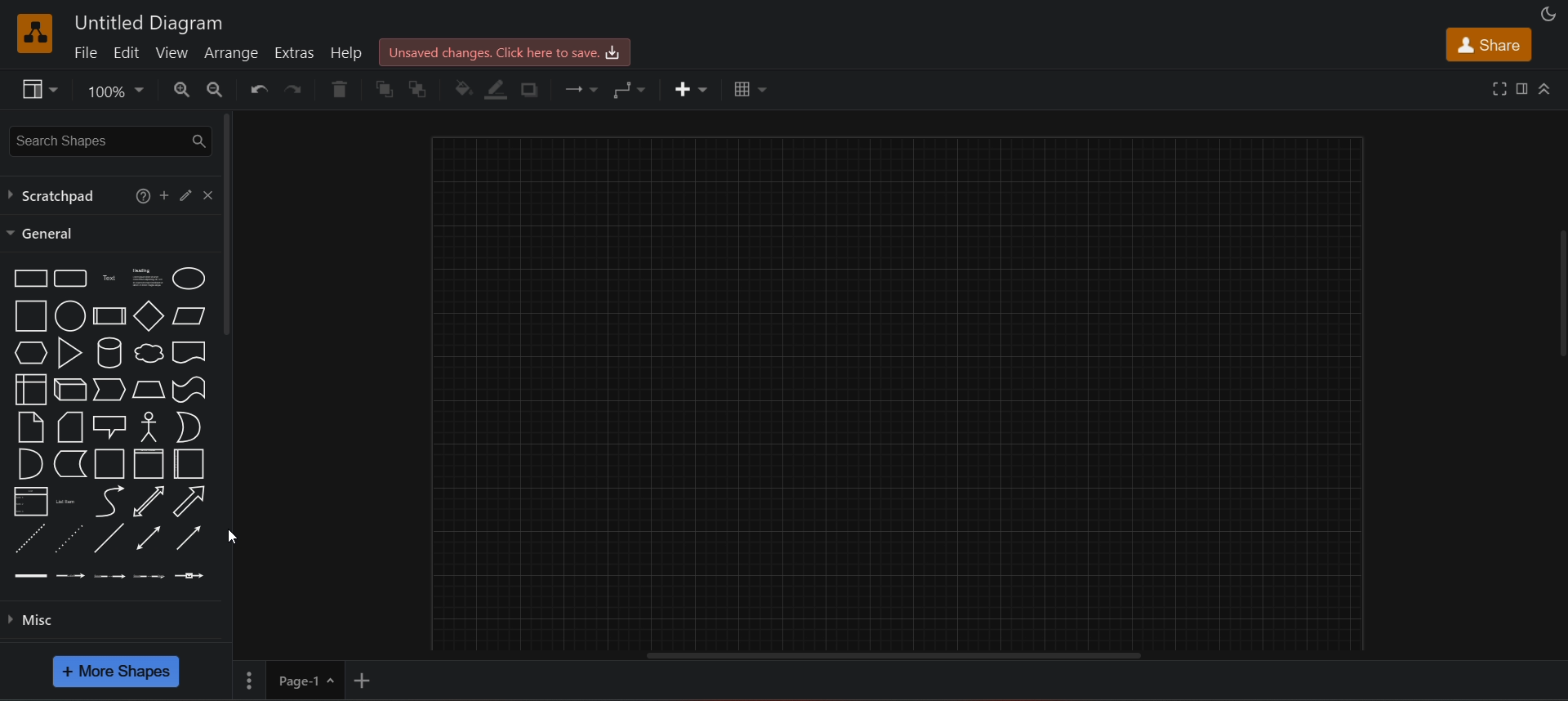  I want to click on rectangle, so click(29, 279).